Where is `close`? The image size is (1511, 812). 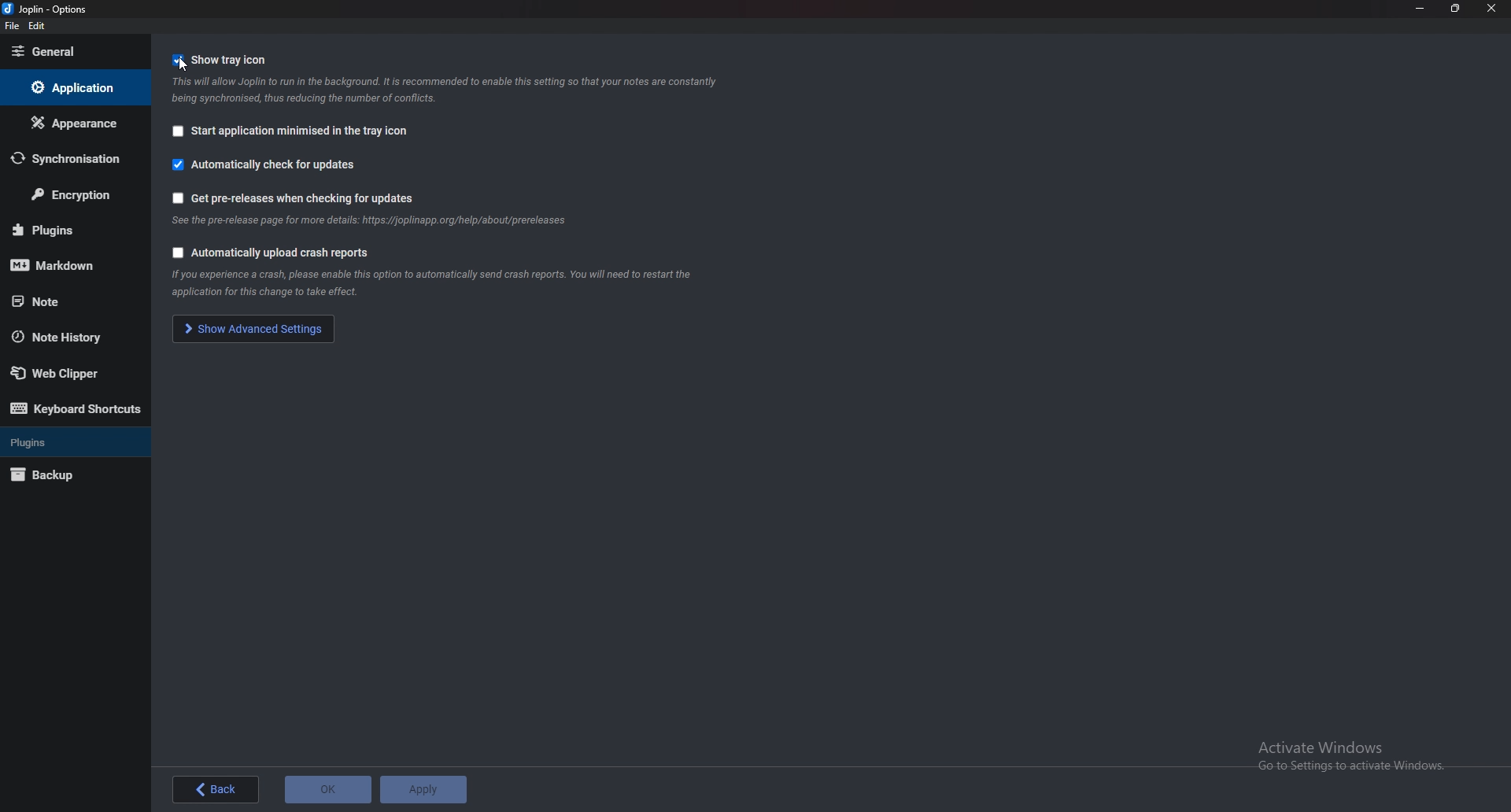 close is located at coordinates (1491, 8).